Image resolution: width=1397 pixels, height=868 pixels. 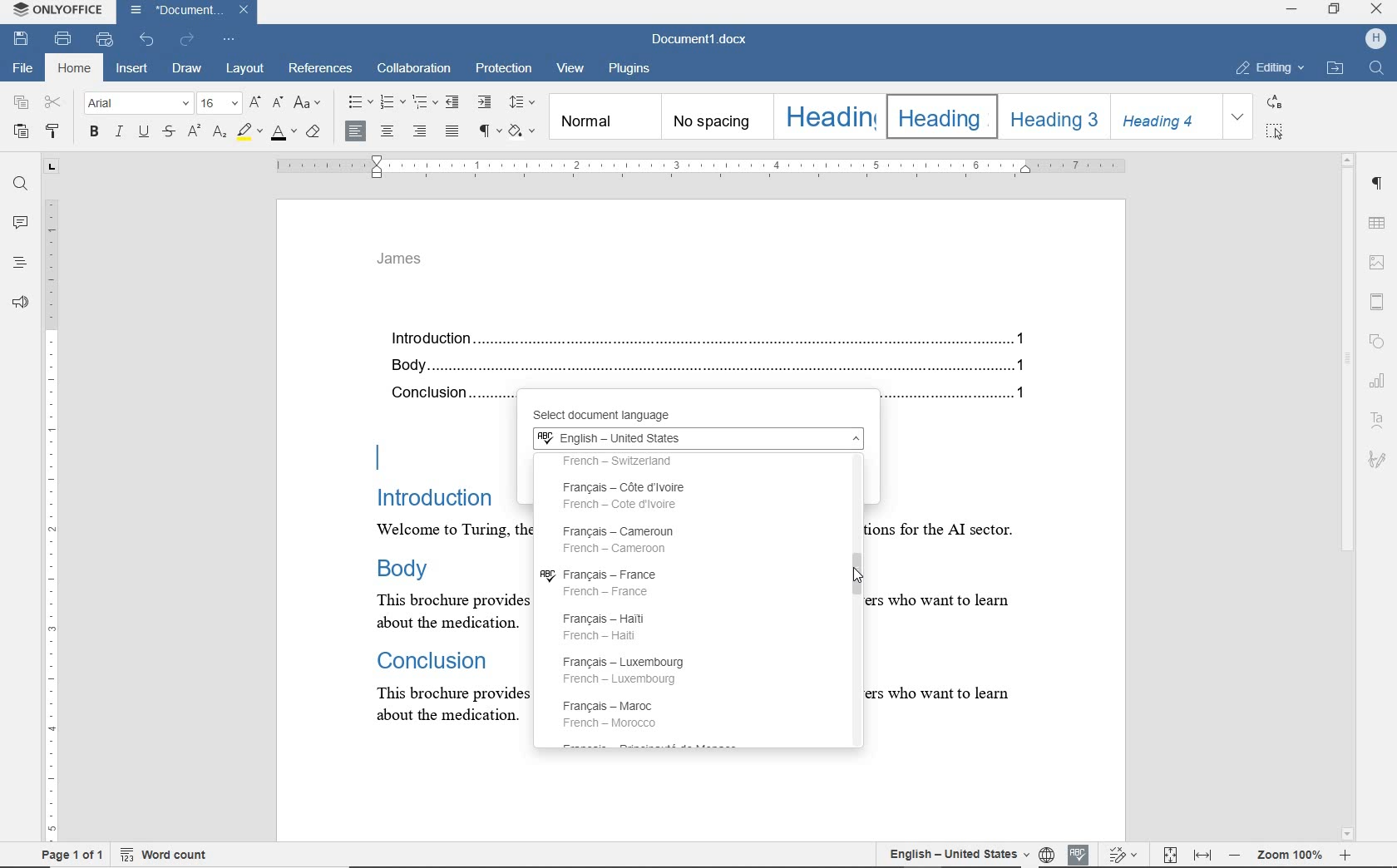 What do you see at coordinates (19, 223) in the screenshot?
I see `comments` at bounding box center [19, 223].